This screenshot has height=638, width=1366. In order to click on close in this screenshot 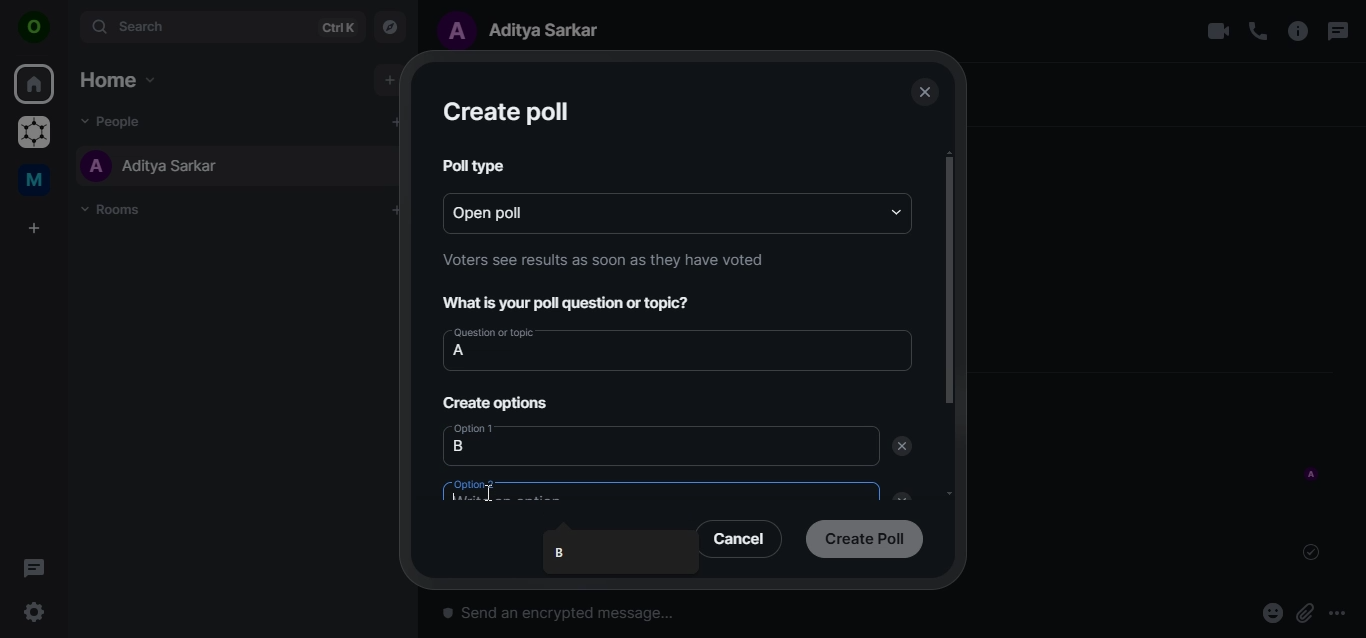, I will do `click(923, 93)`.